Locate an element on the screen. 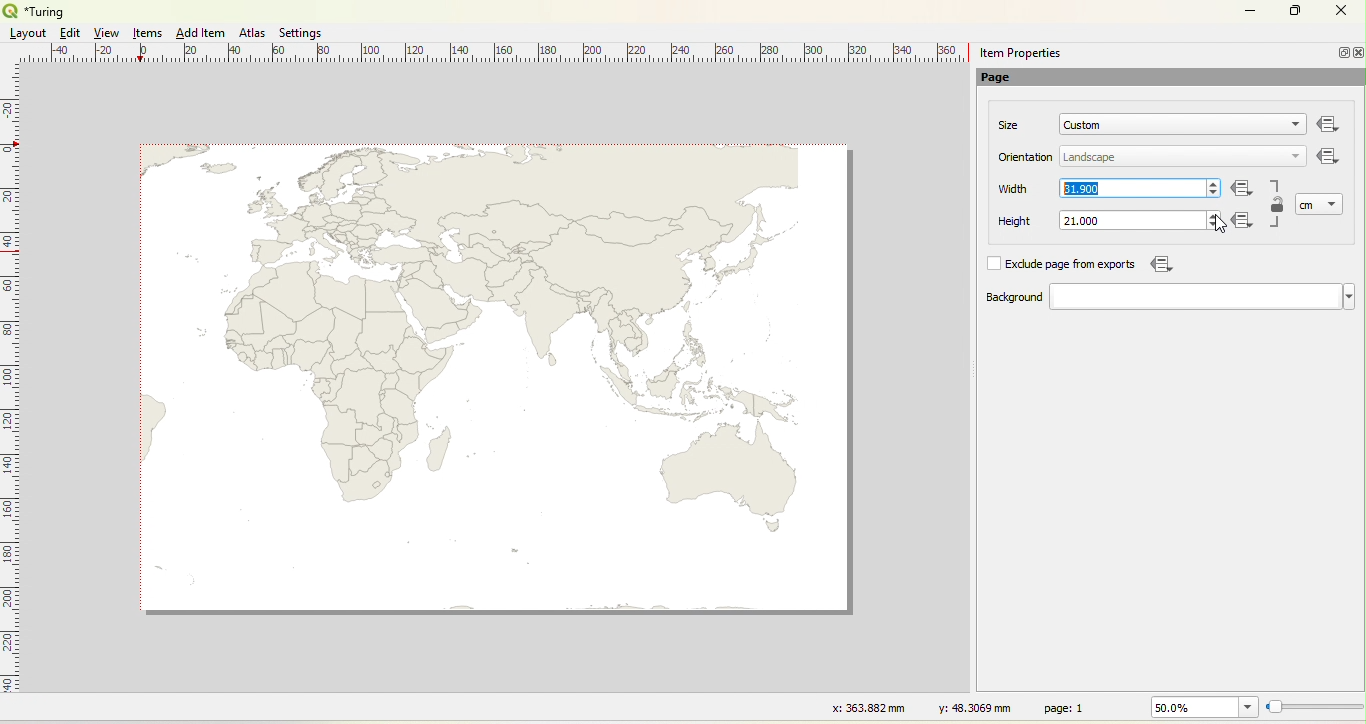 The width and height of the screenshot is (1366, 724). Custom is located at coordinates (1083, 125).